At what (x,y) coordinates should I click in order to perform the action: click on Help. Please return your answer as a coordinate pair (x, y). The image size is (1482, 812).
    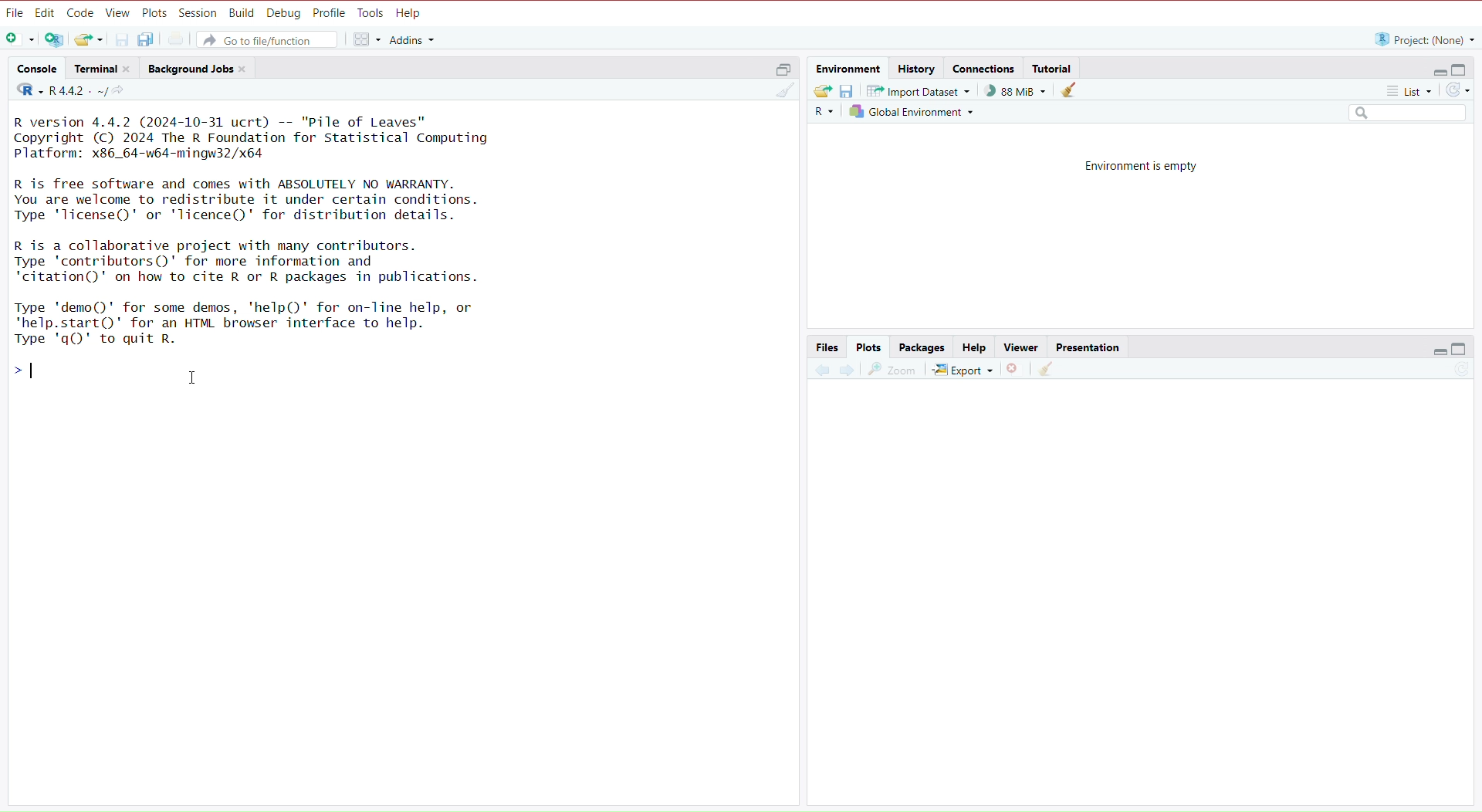
    Looking at the image, I should click on (409, 12).